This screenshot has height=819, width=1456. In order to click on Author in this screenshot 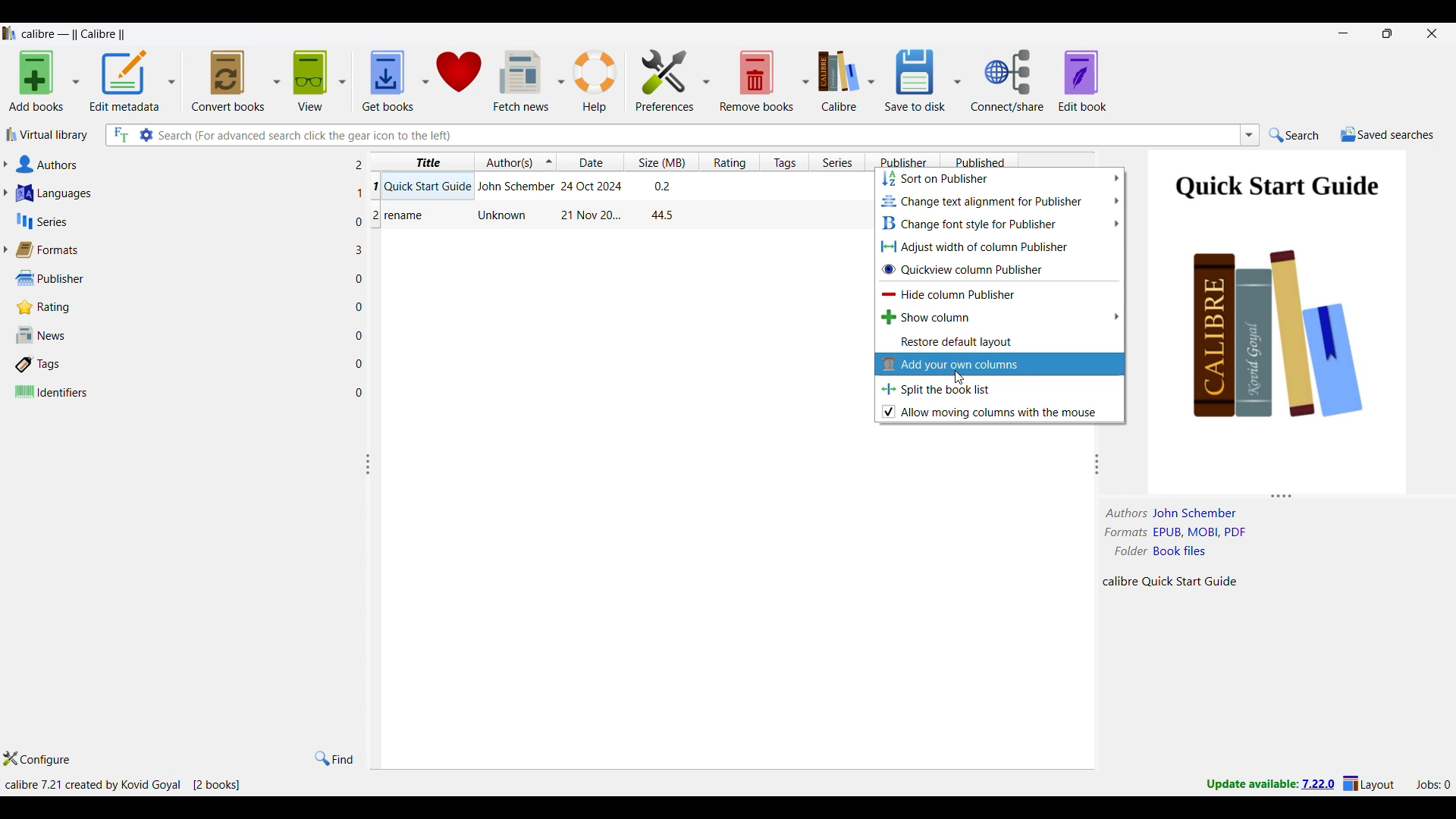, I will do `click(504, 215)`.